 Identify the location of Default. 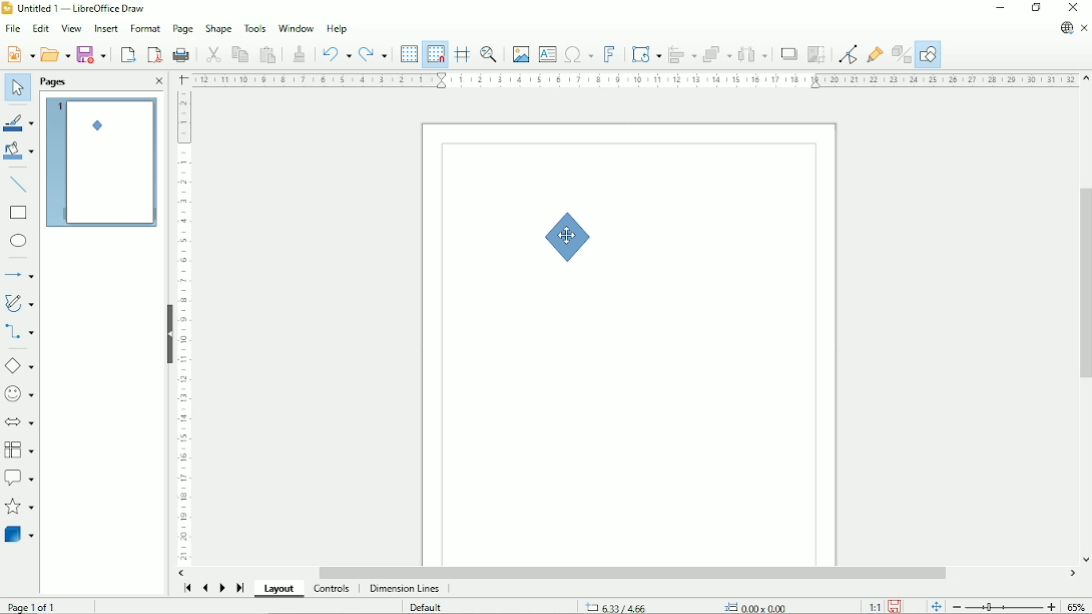
(427, 607).